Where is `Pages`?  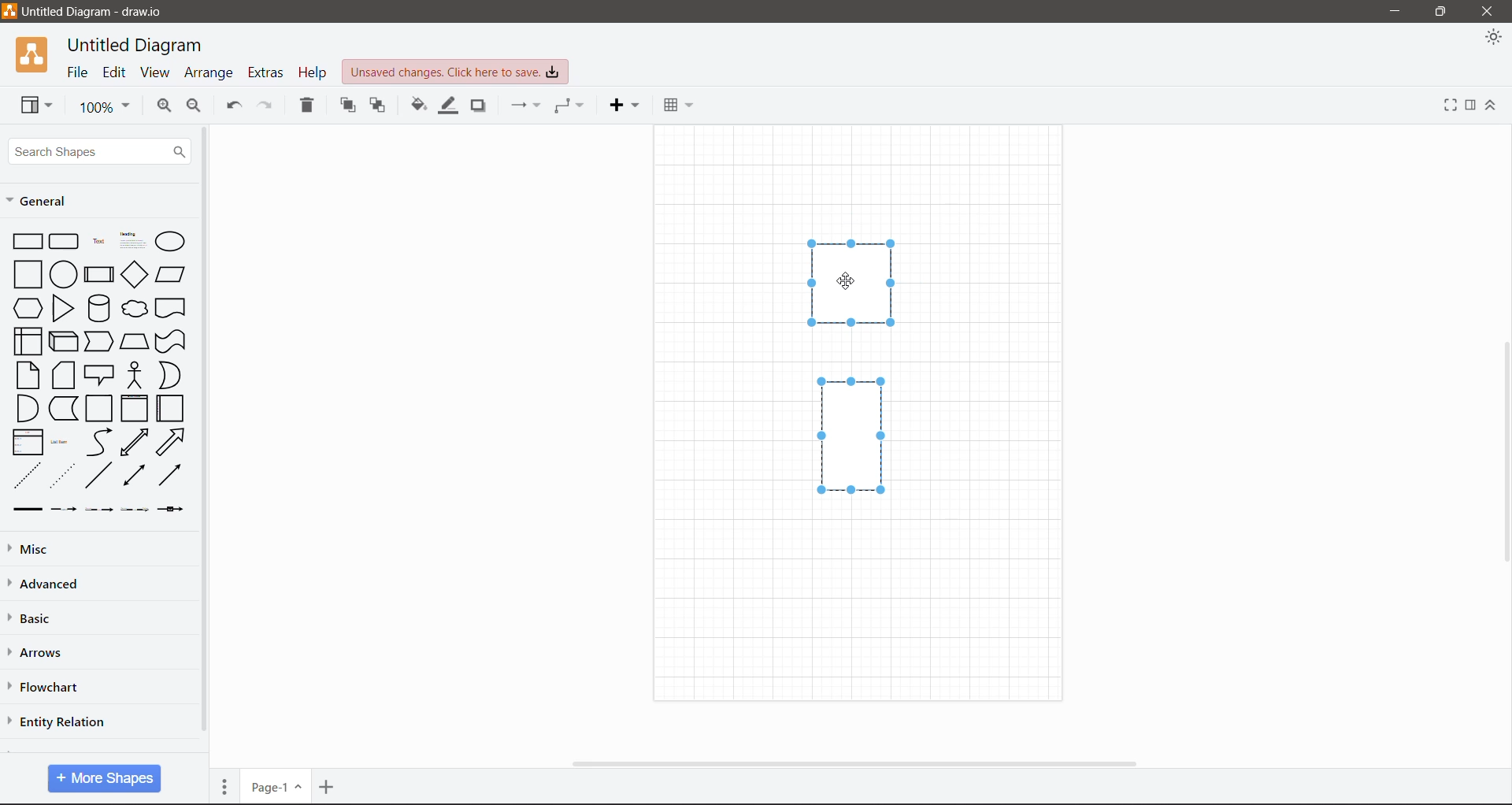
Pages is located at coordinates (225, 785).